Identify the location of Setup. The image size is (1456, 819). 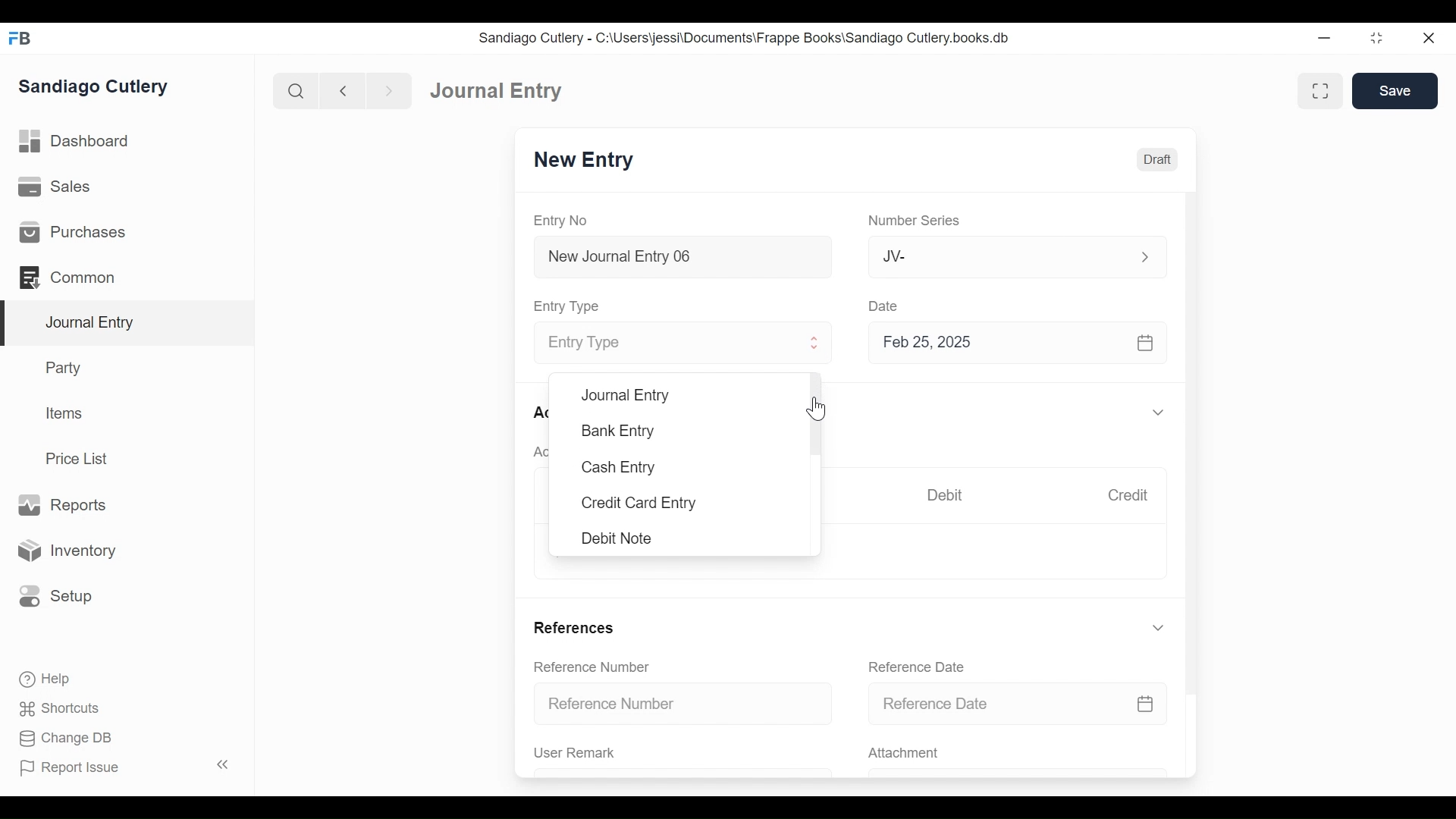
(52, 595).